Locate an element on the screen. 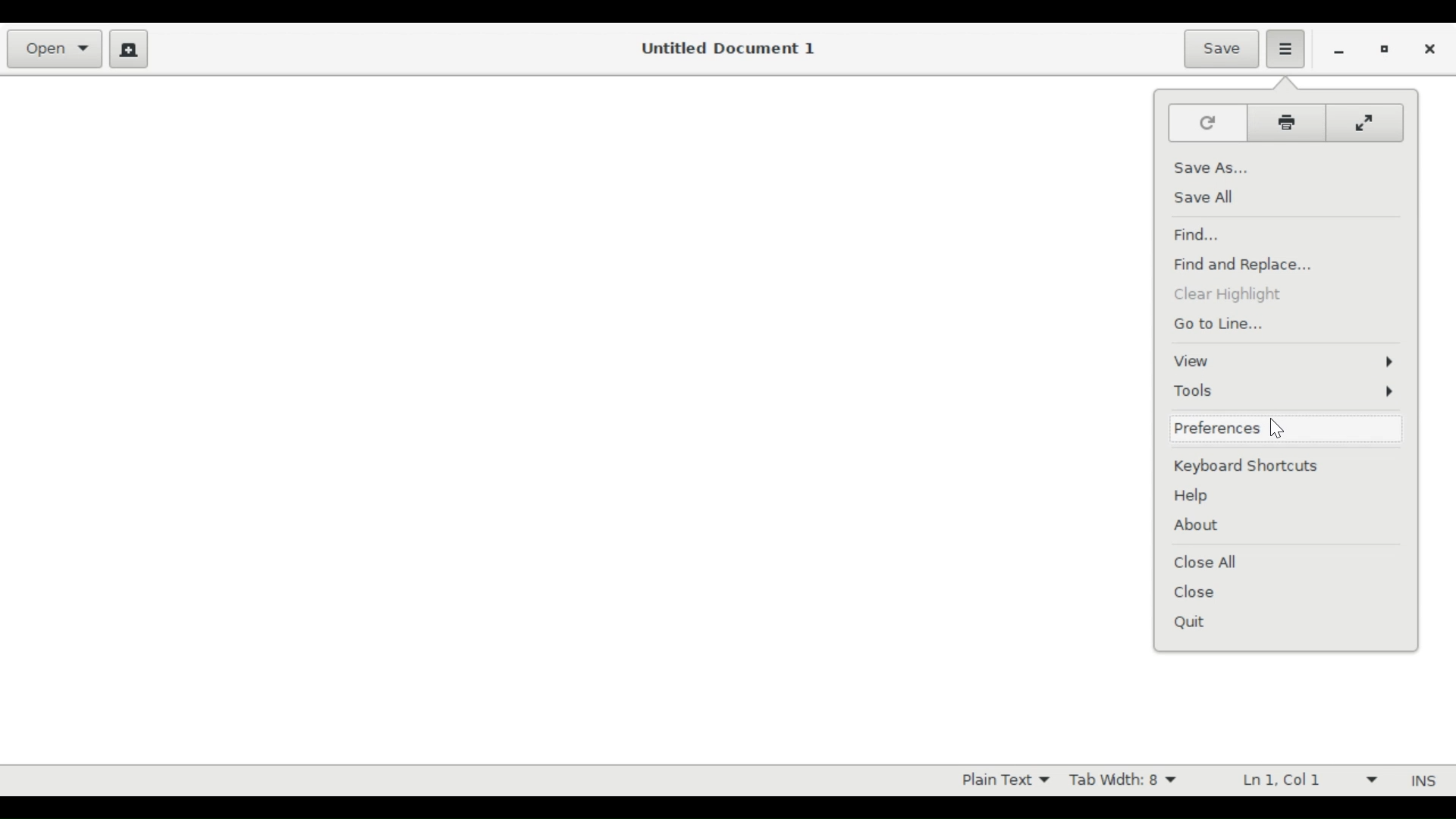 Image resolution: width=1456 pixels, height=819 pixels. Save as is located at coordinates (1219, 168).